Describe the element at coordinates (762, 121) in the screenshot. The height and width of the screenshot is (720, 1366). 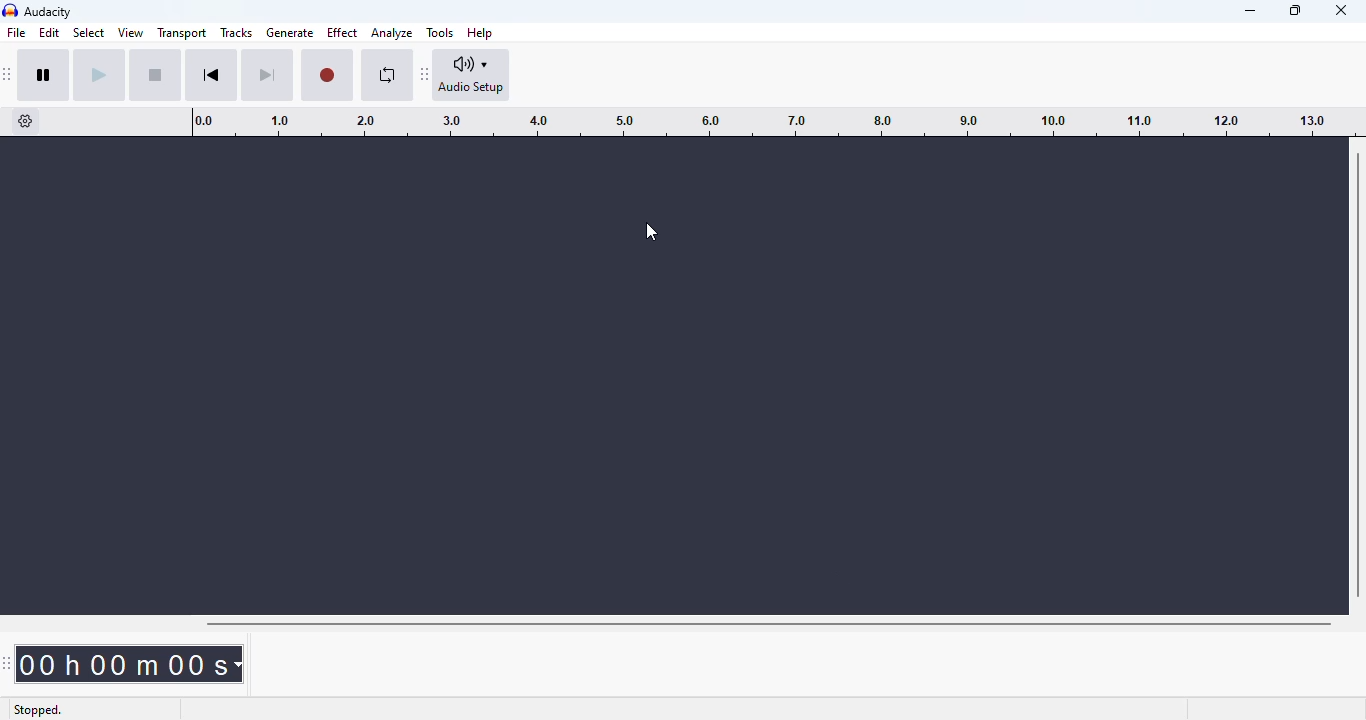
I see `timeline` at that location.